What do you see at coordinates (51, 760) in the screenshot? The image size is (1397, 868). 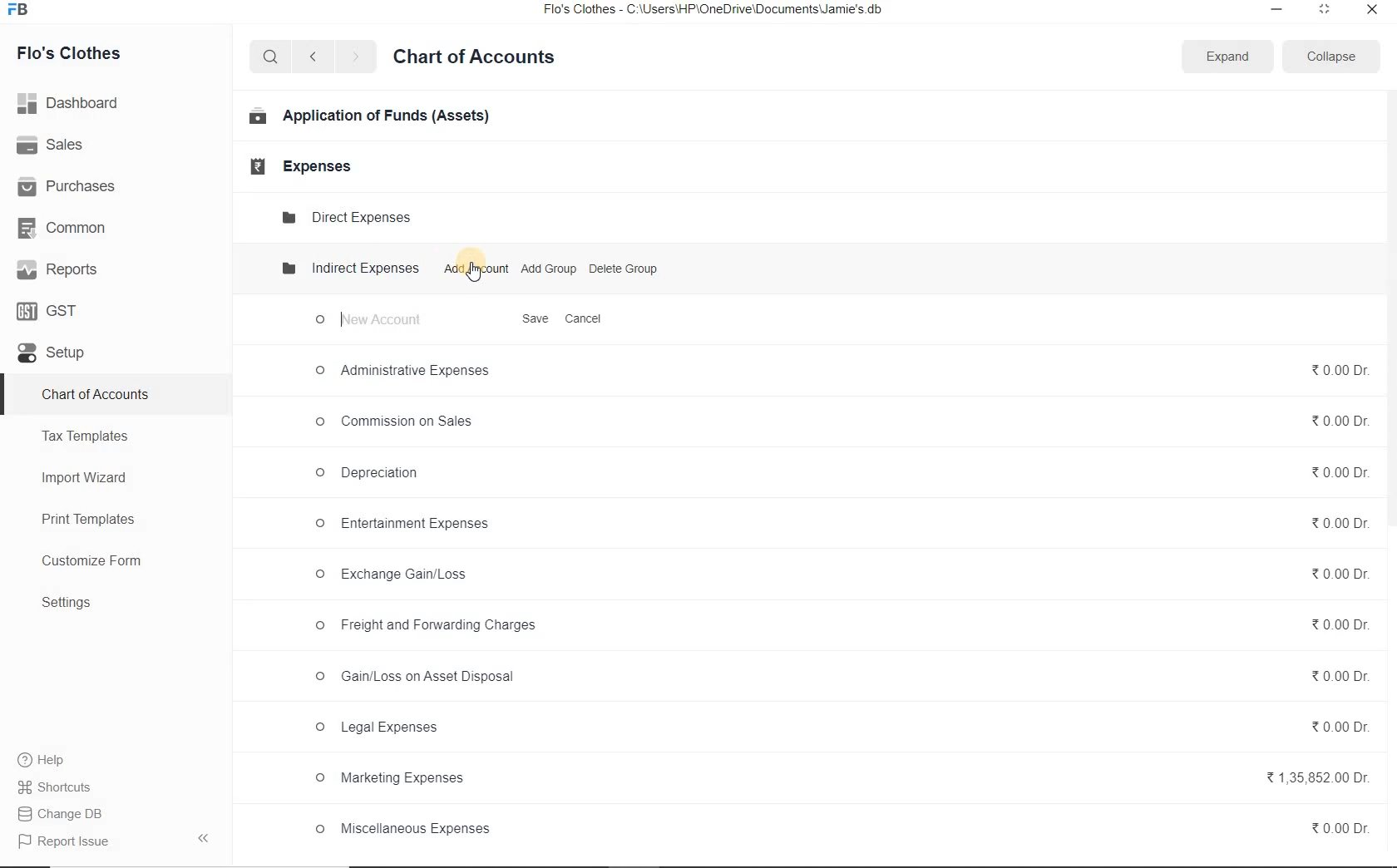 I see ` Help` at bounding box center [51, 760].